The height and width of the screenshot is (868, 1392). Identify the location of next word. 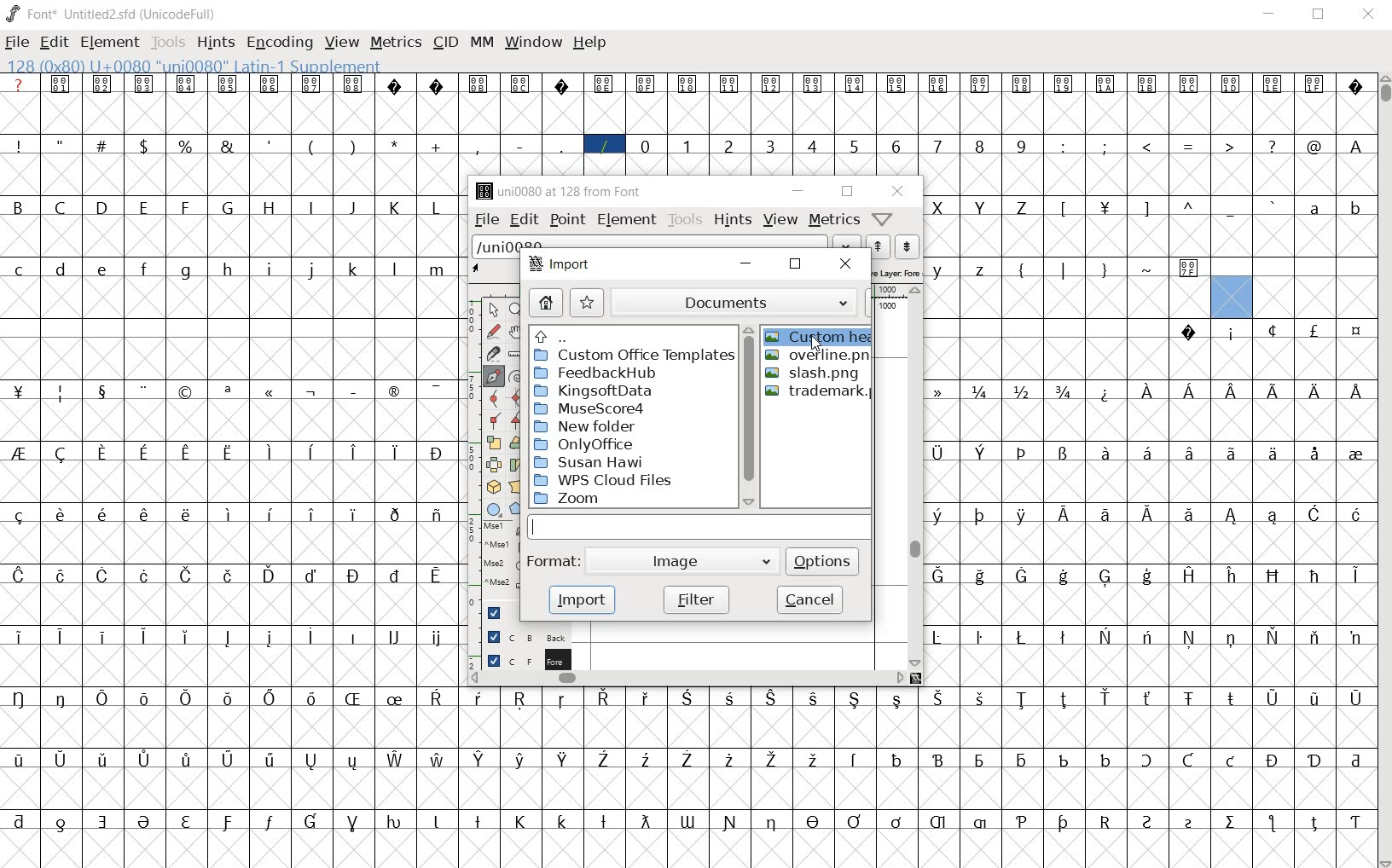
(907, 247).